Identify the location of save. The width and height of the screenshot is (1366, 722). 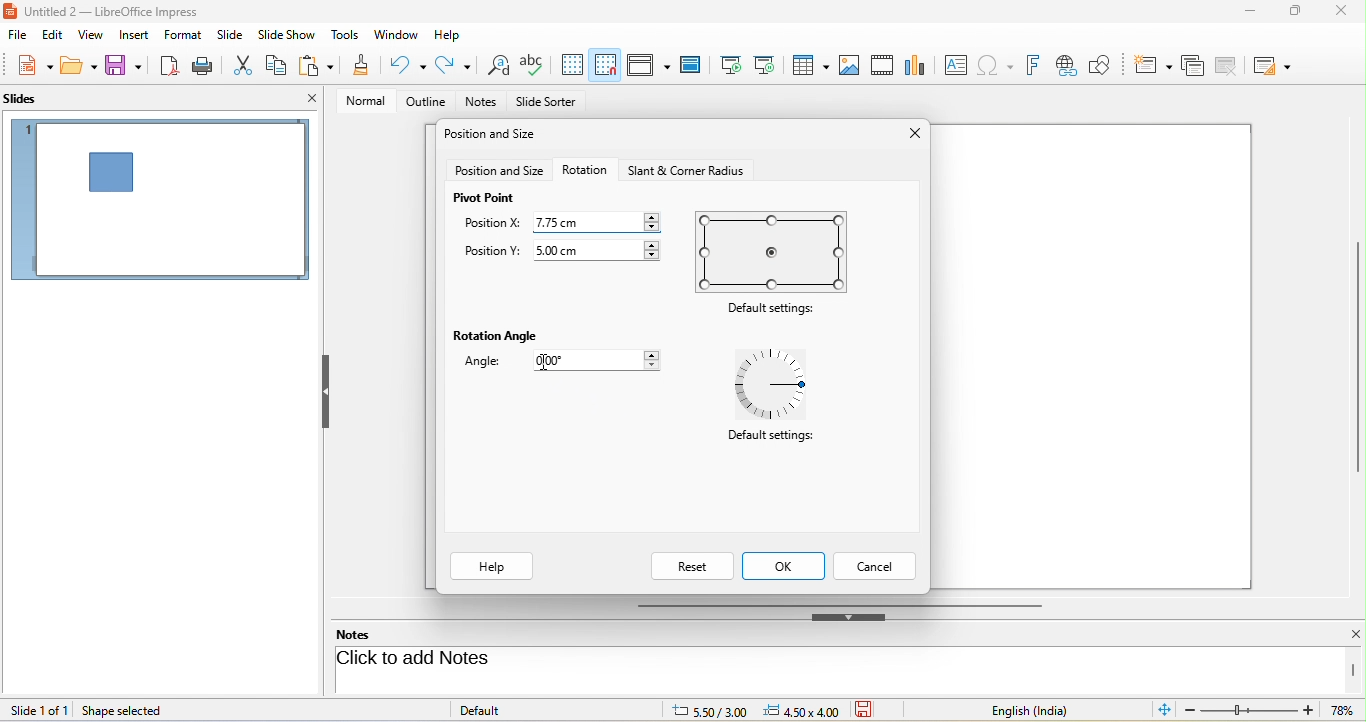
(125, 66).